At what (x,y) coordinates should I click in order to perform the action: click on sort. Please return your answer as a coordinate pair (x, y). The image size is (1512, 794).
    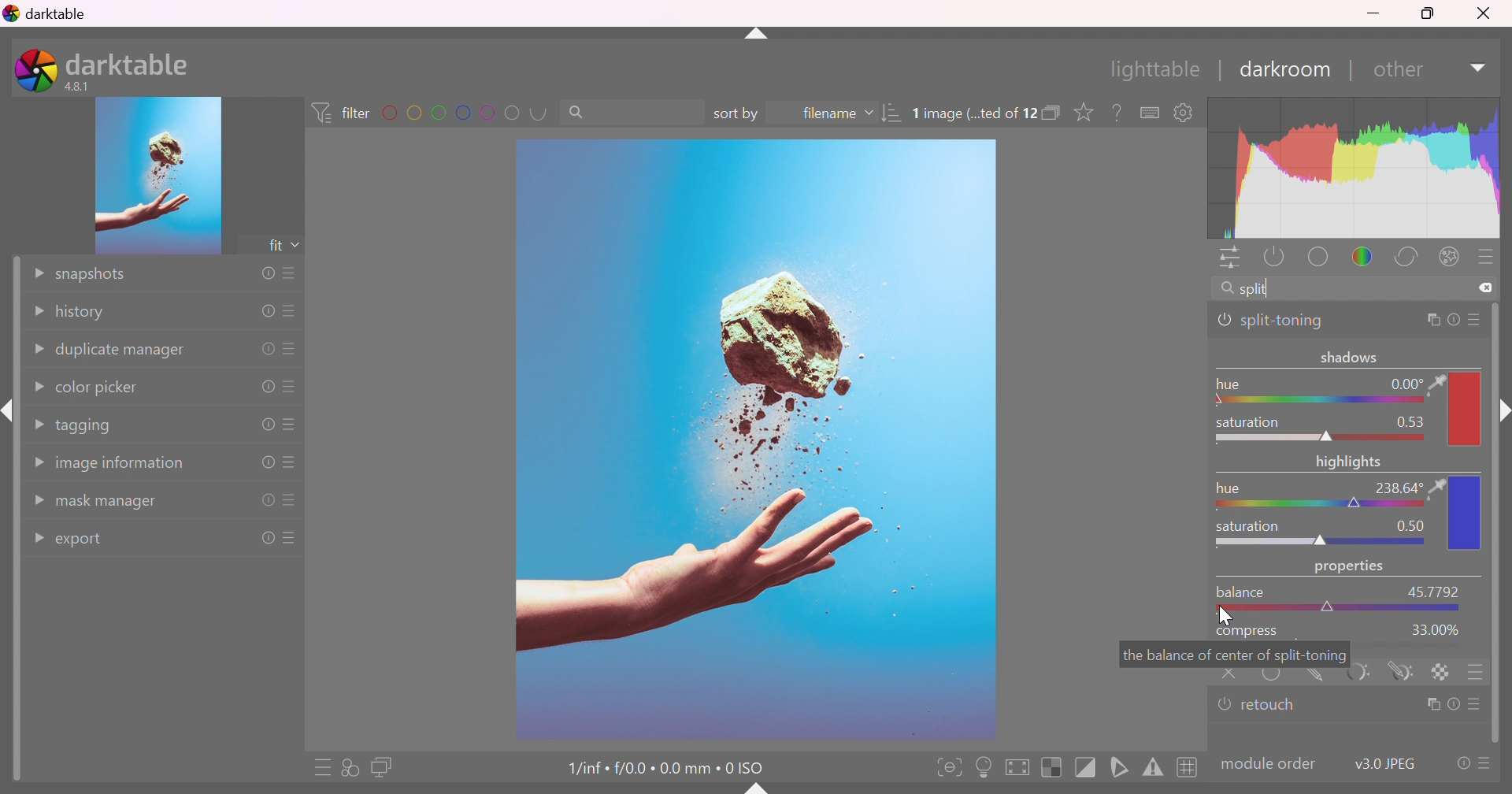
    Looking at the image, I should click on (895, 110).